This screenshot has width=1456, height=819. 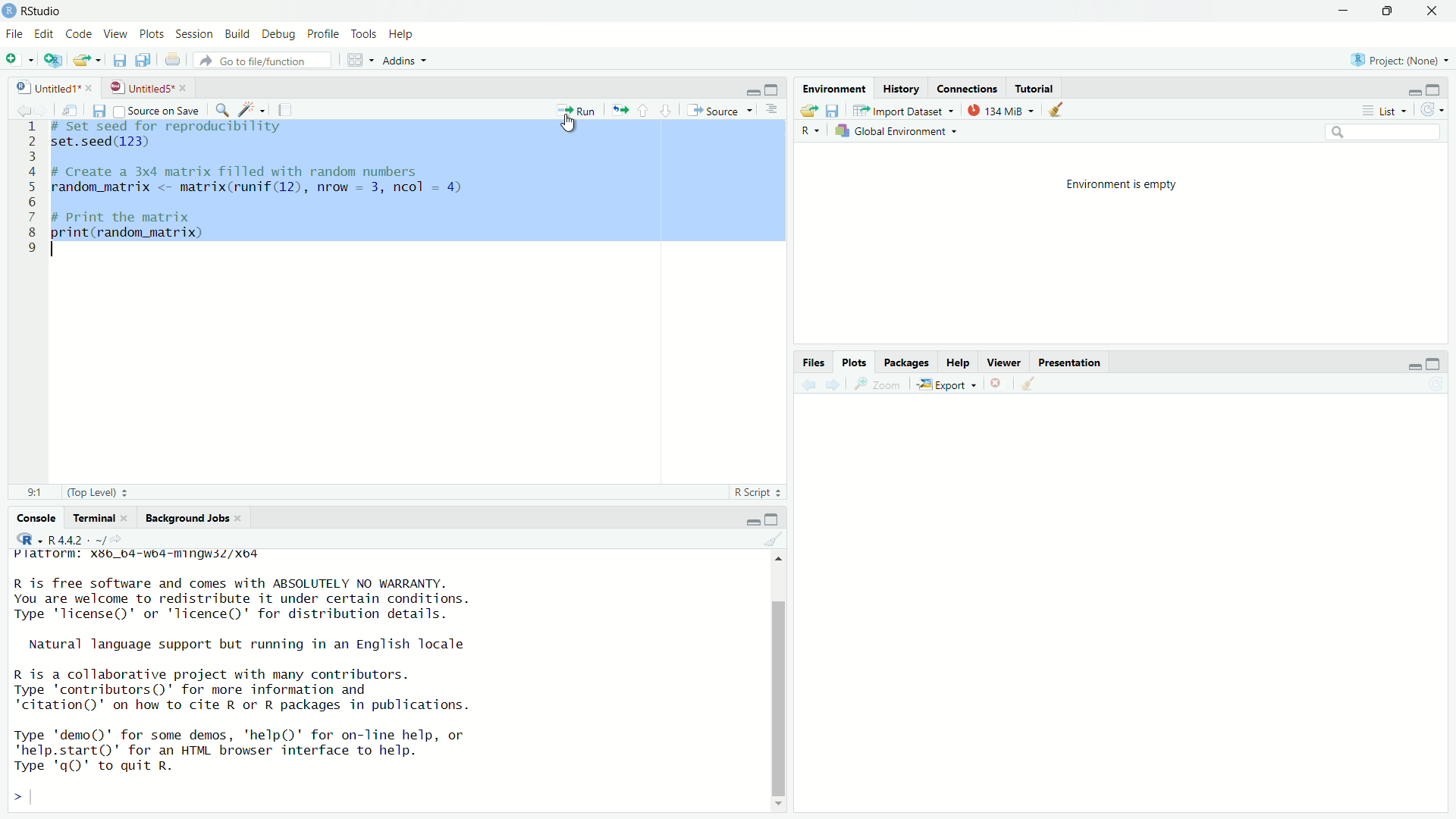 I want to click on add, so click(x=15, y=60).